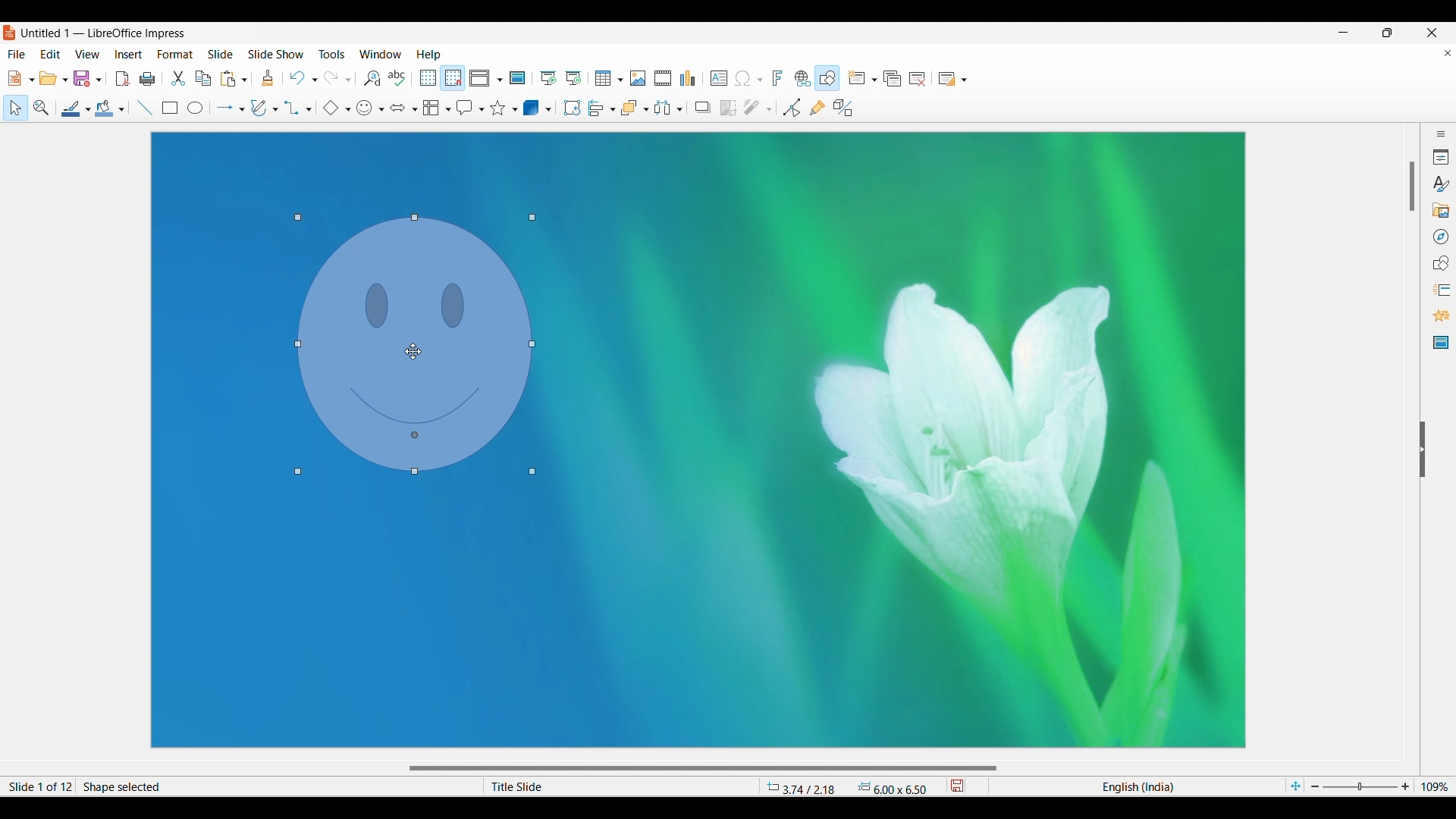 This screenshot has height=819, width=1456. What do you see at coordinates (964, 80) in the screenshot?
I see `Slide layout options` at bounding box center [964, 80].